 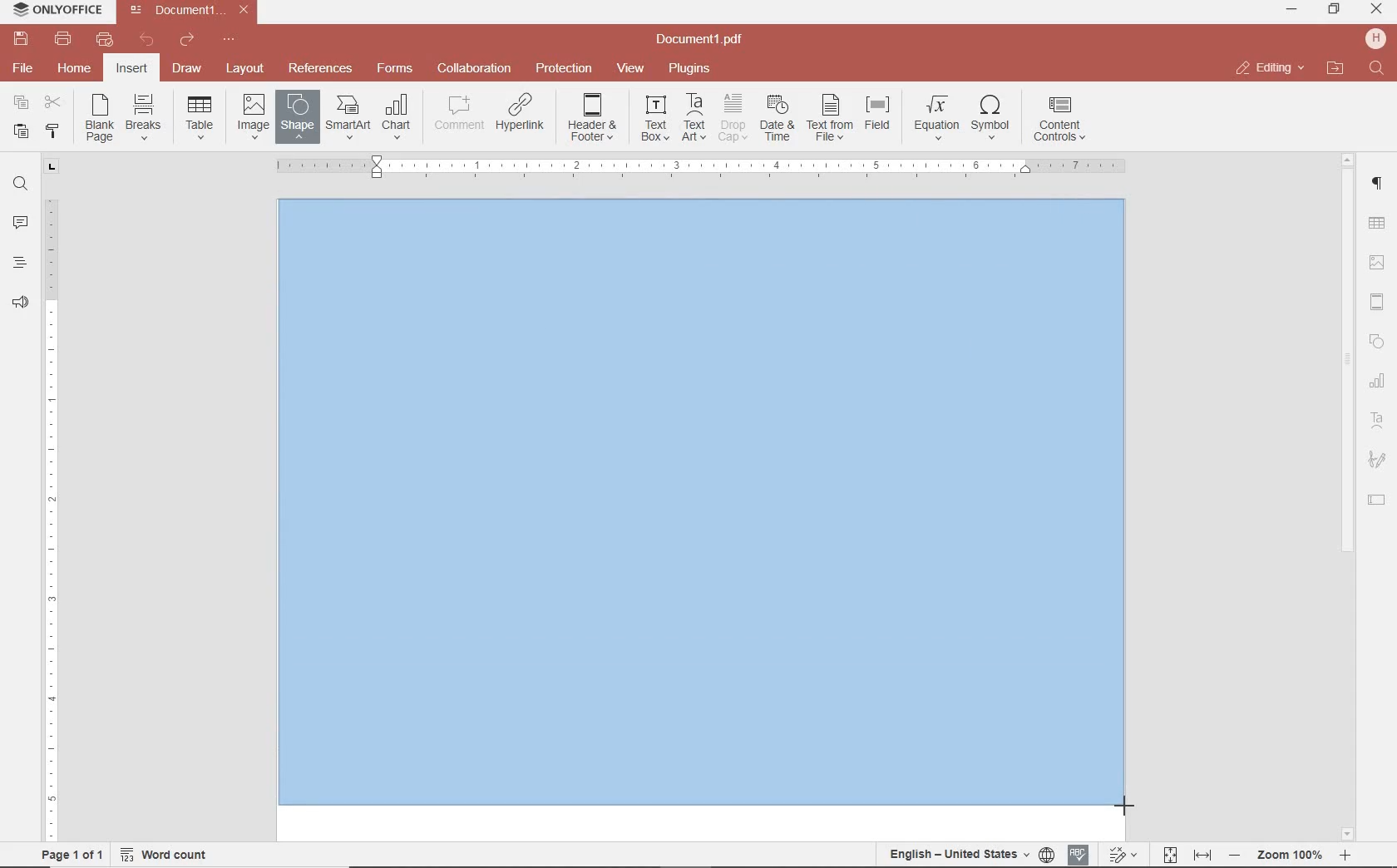 I want to click on undo, so click(x=147, y=40).